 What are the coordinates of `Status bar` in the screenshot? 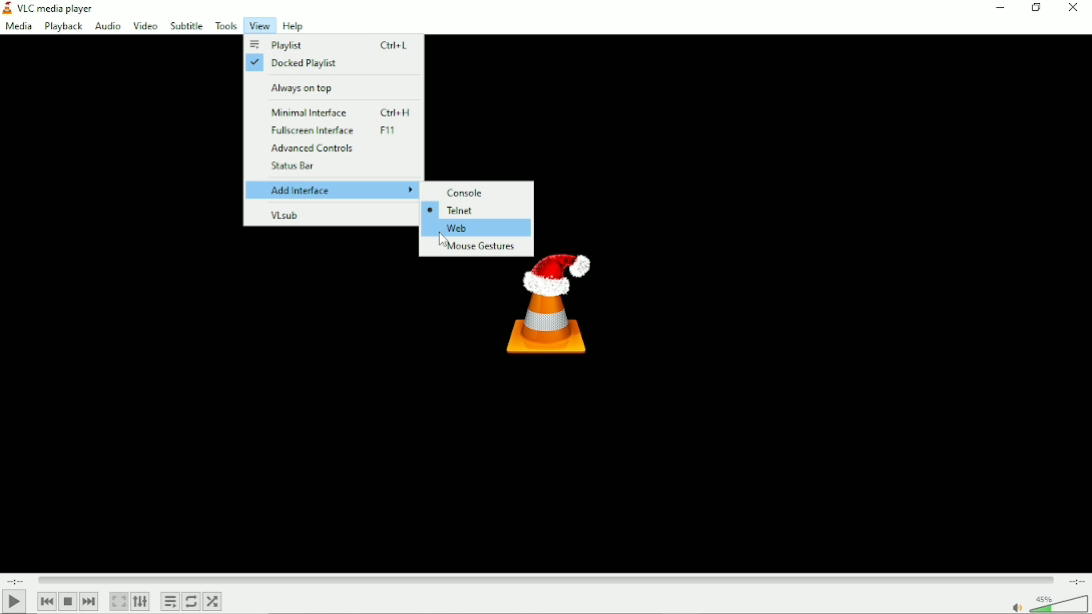 It's located at (289, 166).